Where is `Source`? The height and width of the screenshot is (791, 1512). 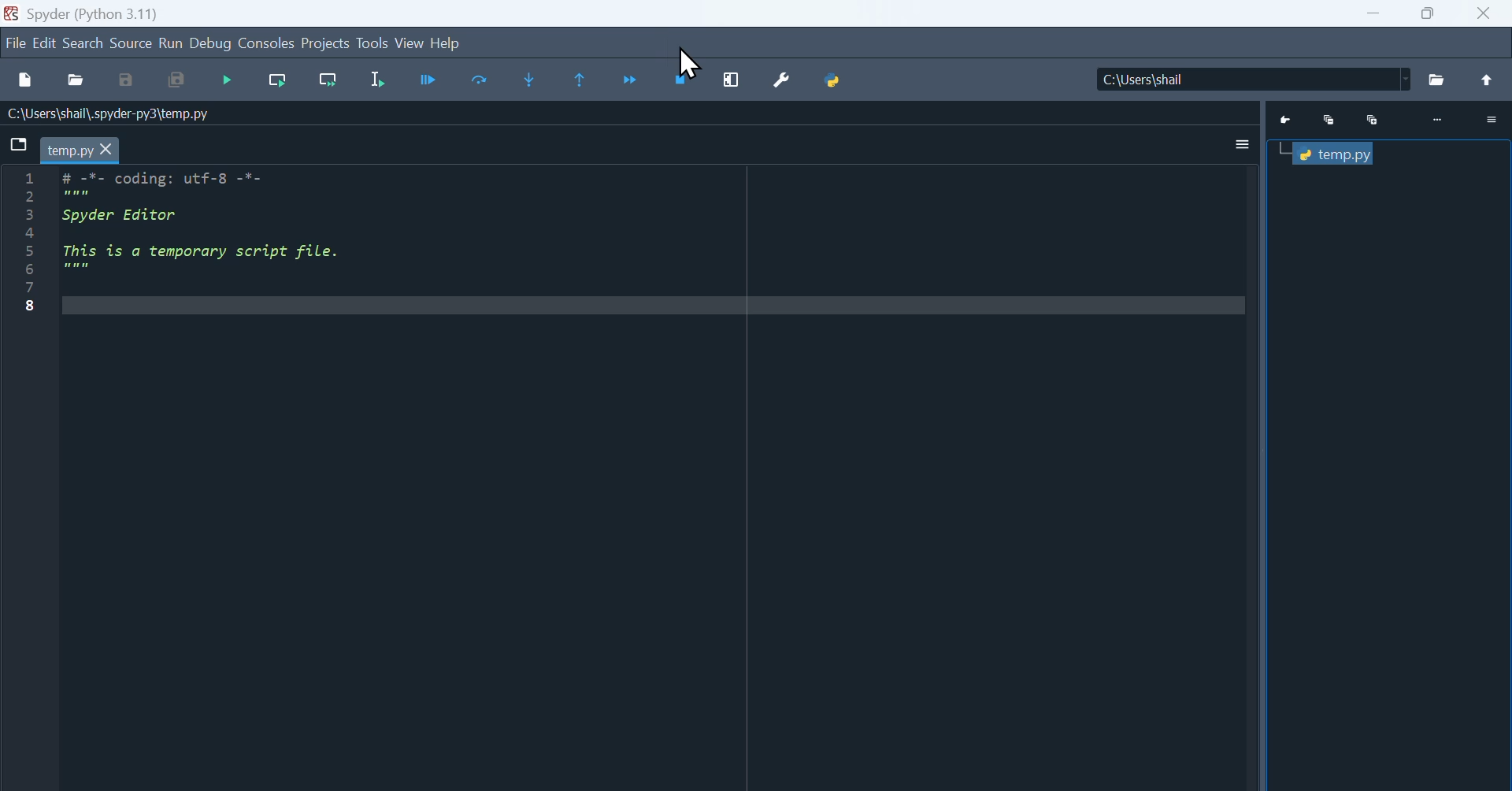
Source is located at coordinates (132, 44).